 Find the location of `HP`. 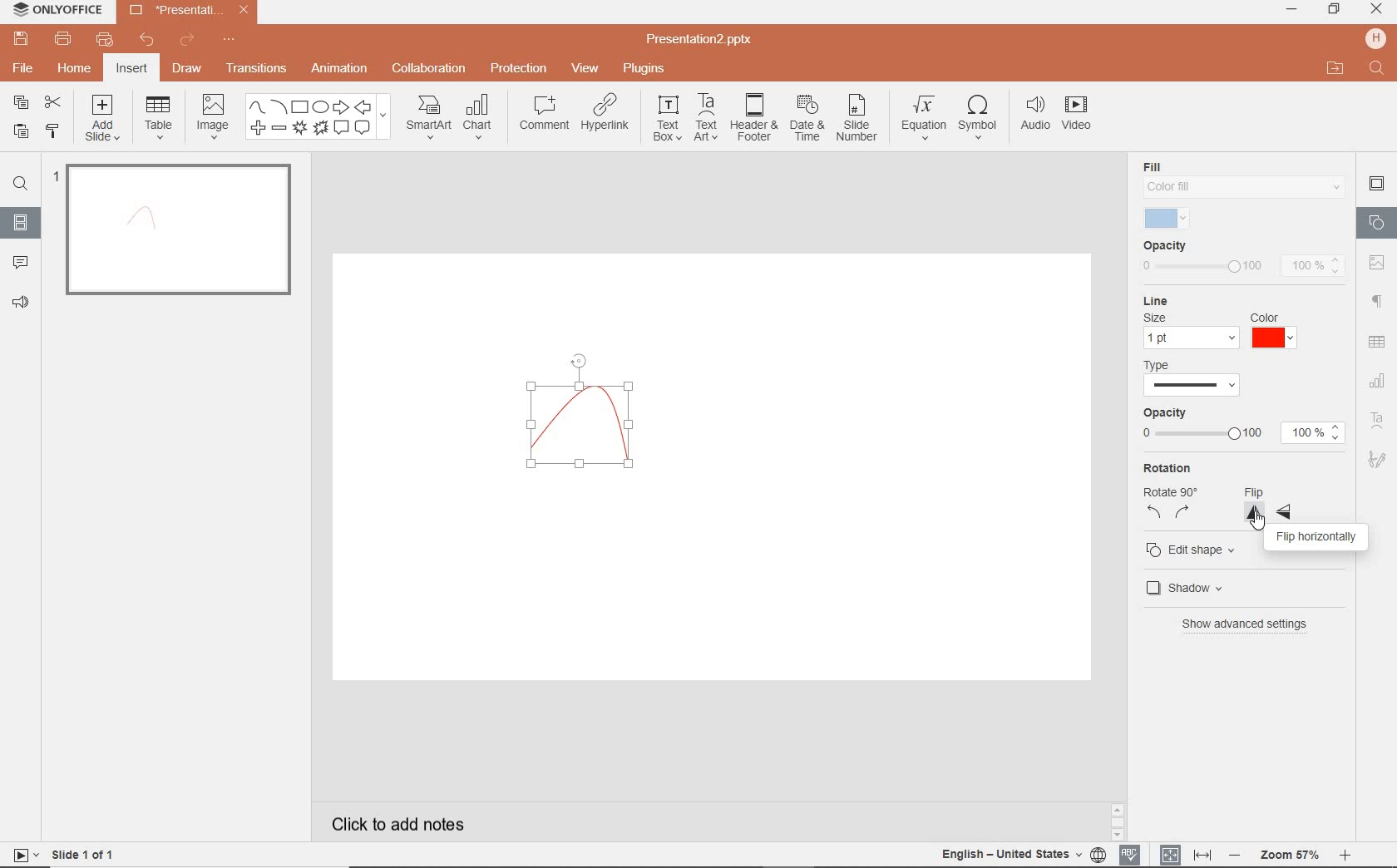

HP is located at coordinates (1374, 37).